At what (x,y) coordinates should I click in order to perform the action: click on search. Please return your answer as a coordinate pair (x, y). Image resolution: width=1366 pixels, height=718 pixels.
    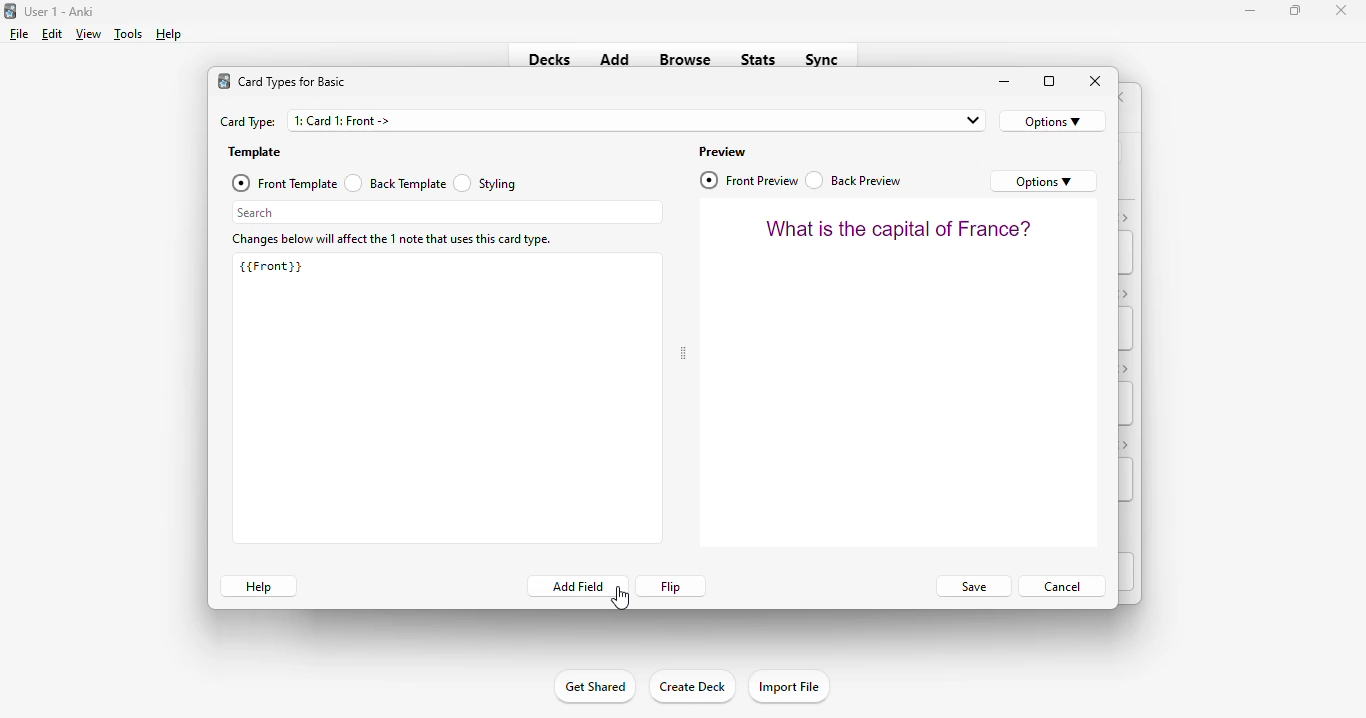
    Looking at the image, I should click on (447, 212).